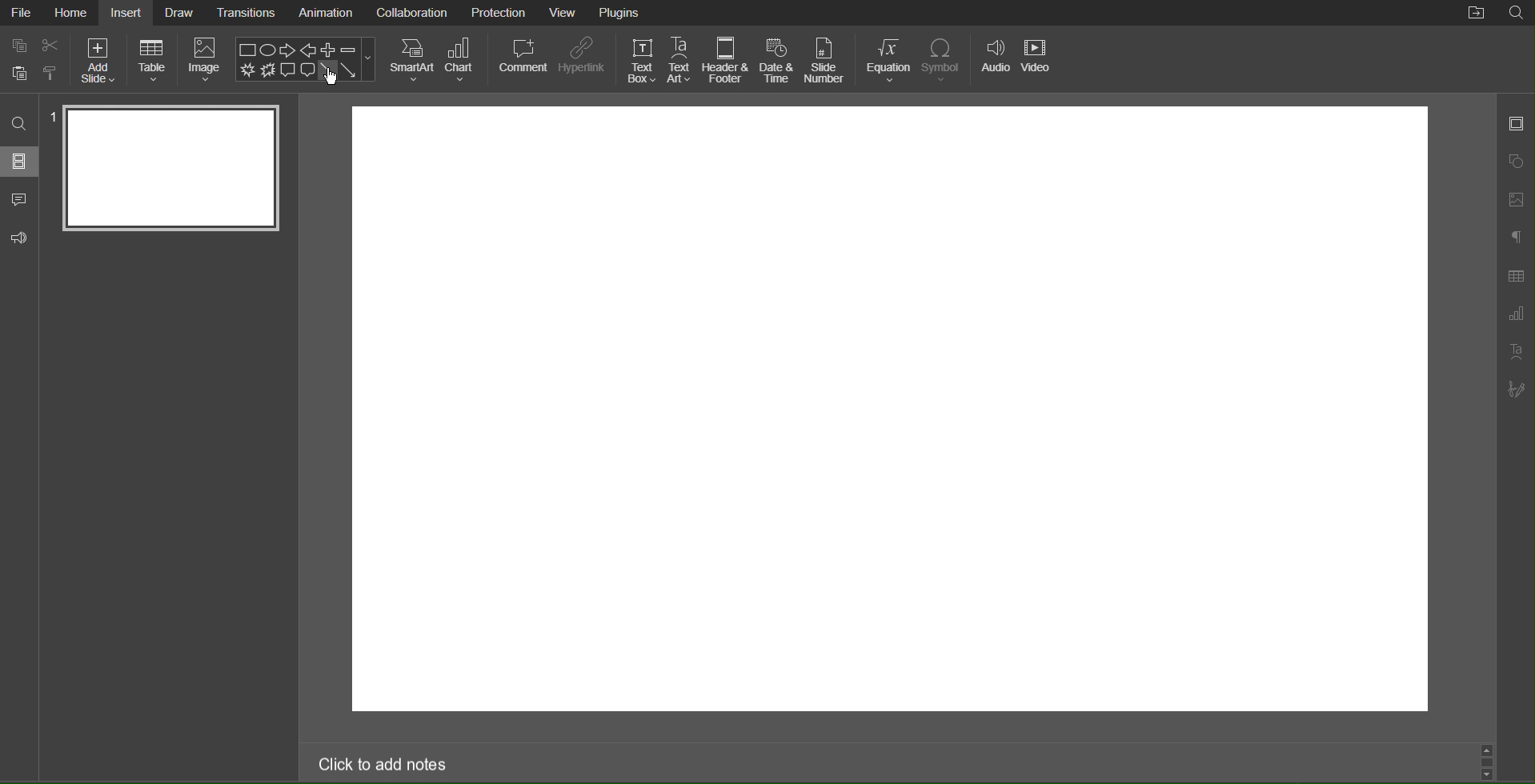  I want to click on Protection, so click(499, 12).